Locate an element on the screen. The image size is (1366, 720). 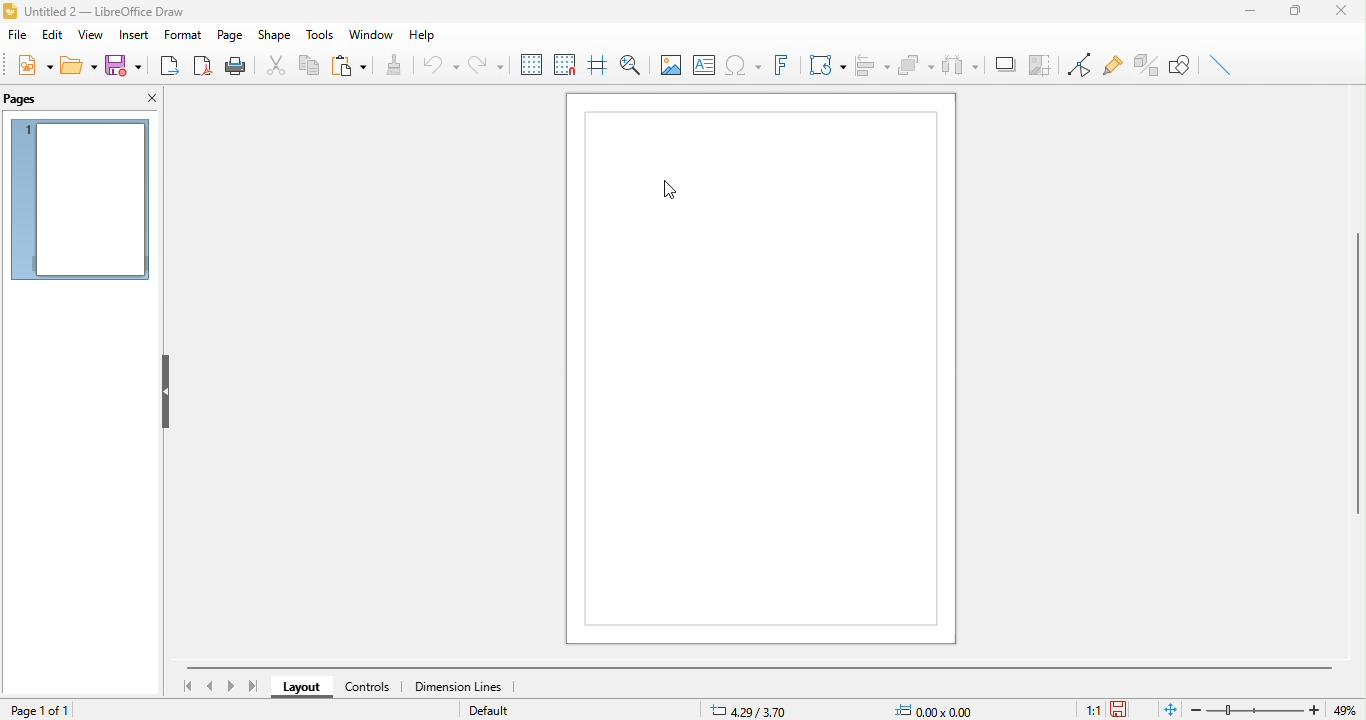
tools is located at coordinates (320, 35).